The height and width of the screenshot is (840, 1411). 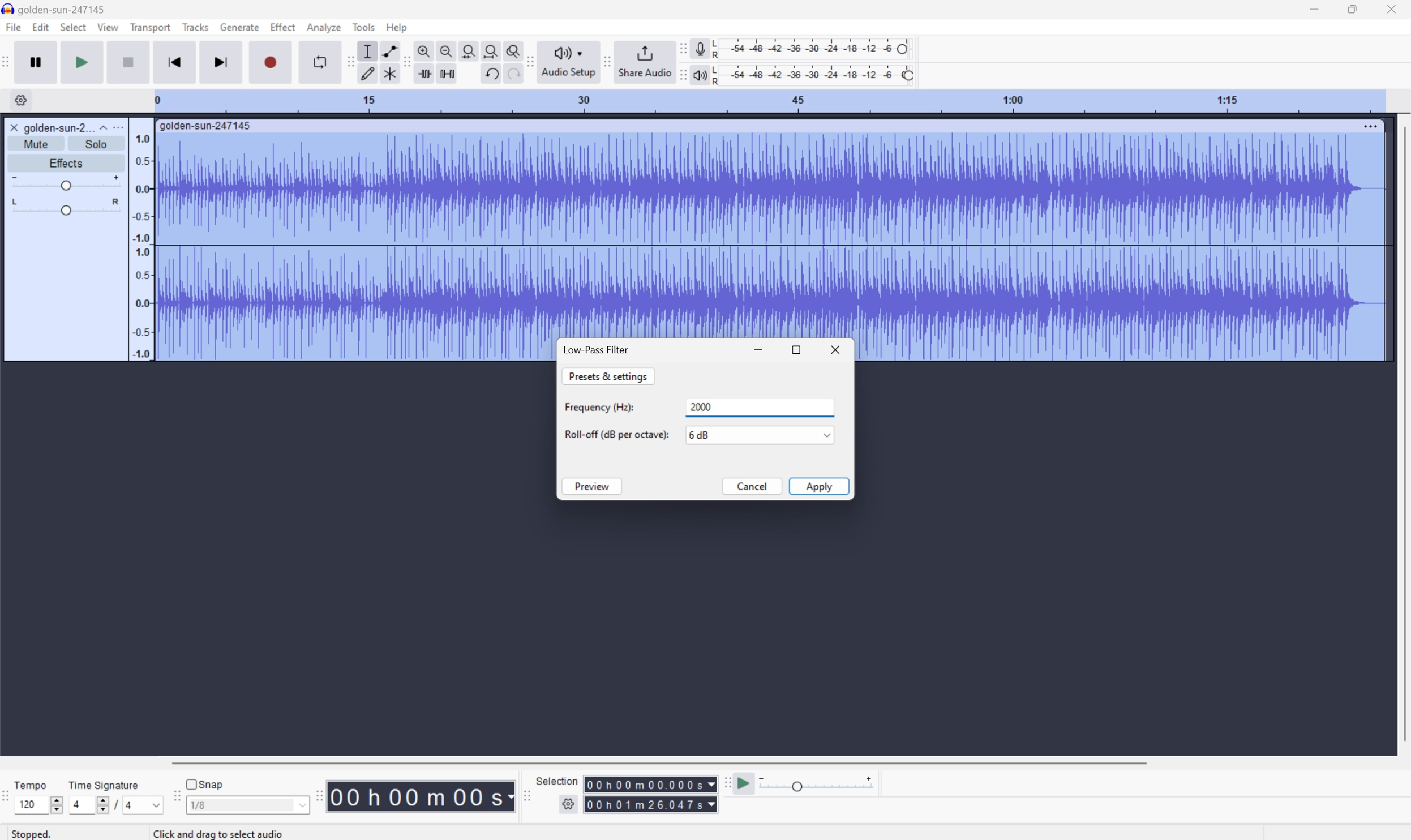 What do you see at coordinates (608, 61) in the screenshot?
I see `Audacity share audio toolbar` at bounding box center [608, 61].